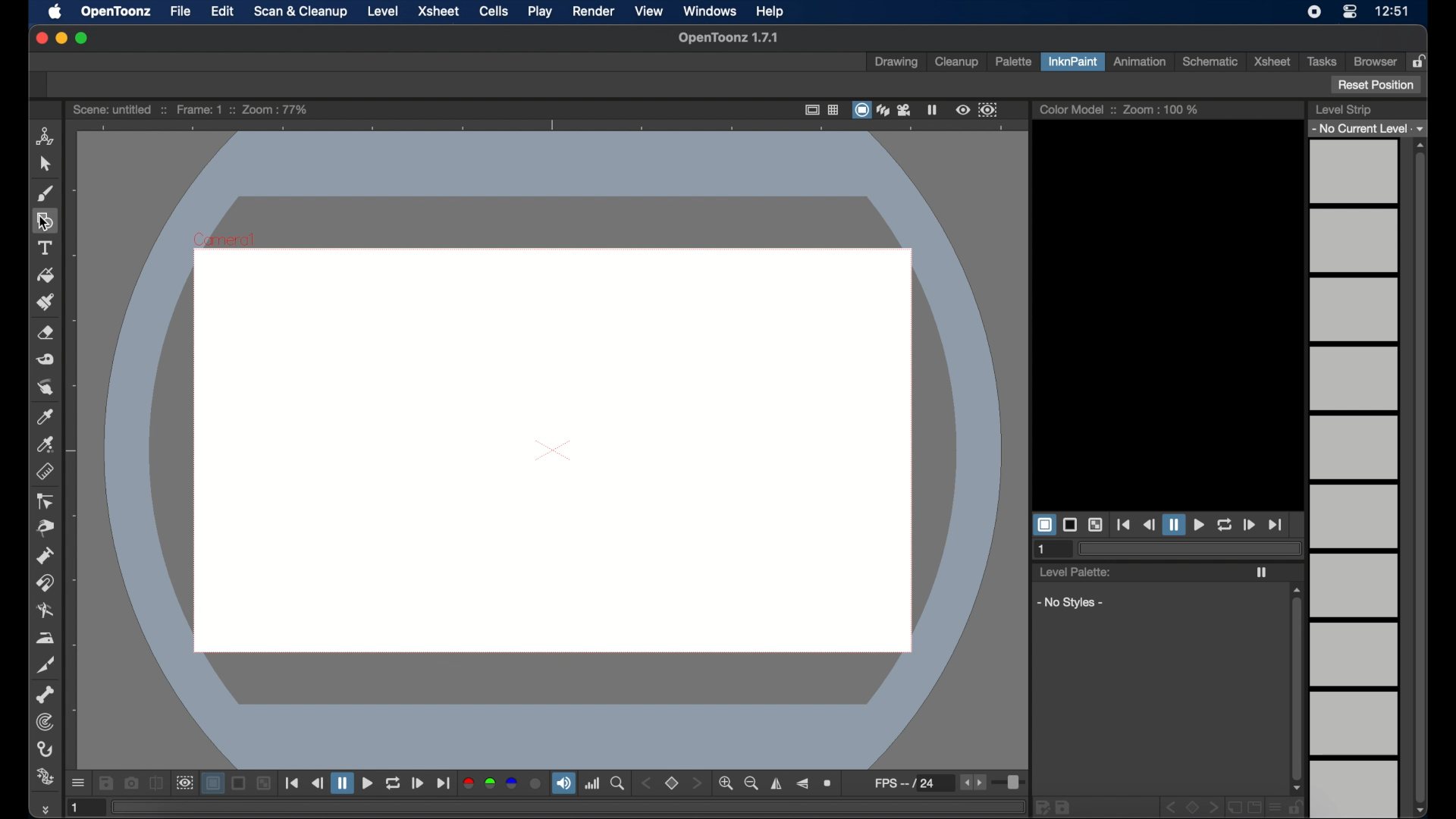 This screenshot has height=819, width=1456. I want to click on play icon, so click(1261, 573).